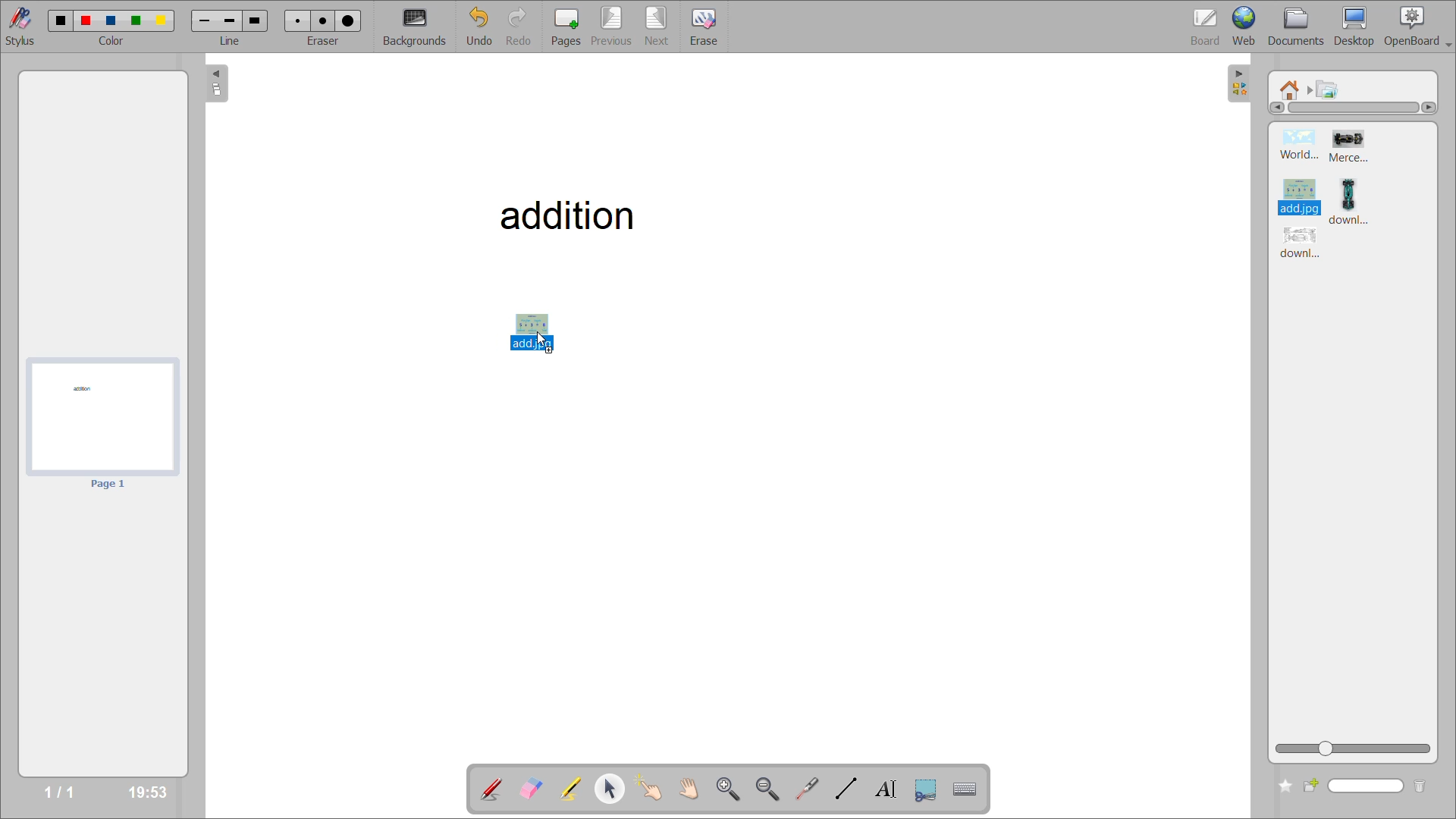 This screenshot has width=1456, height=819. I want to click on openboard, so click(1420, 27).